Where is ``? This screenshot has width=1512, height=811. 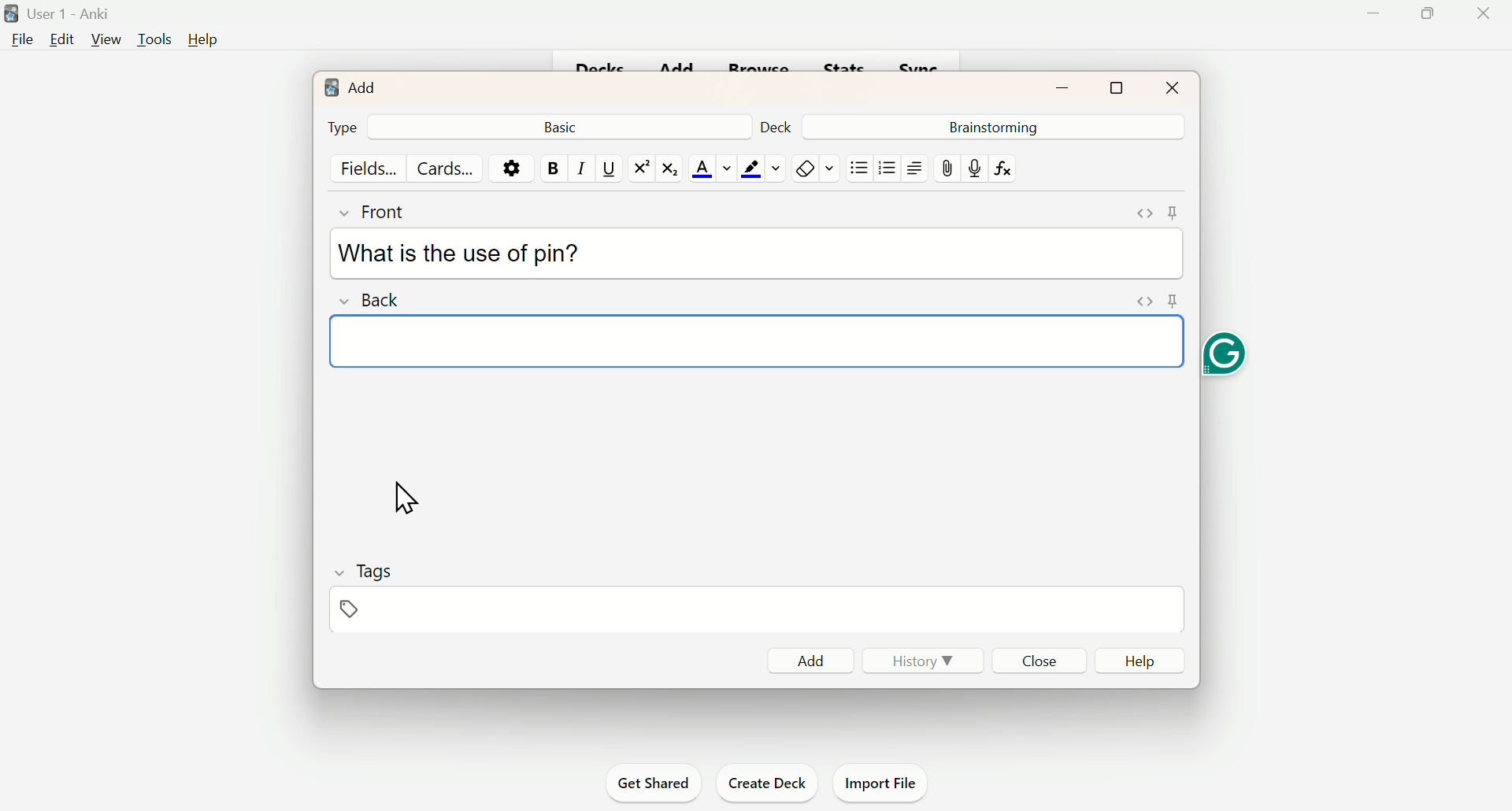
 is located at coordinates (65, 38).